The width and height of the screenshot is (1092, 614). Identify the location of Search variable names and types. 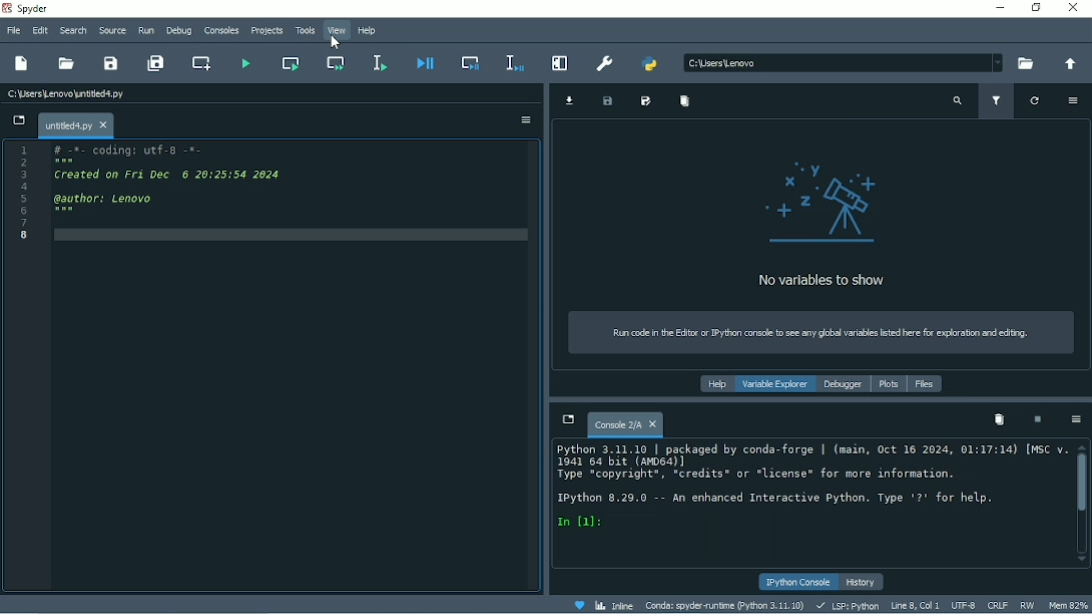
(957, 101).